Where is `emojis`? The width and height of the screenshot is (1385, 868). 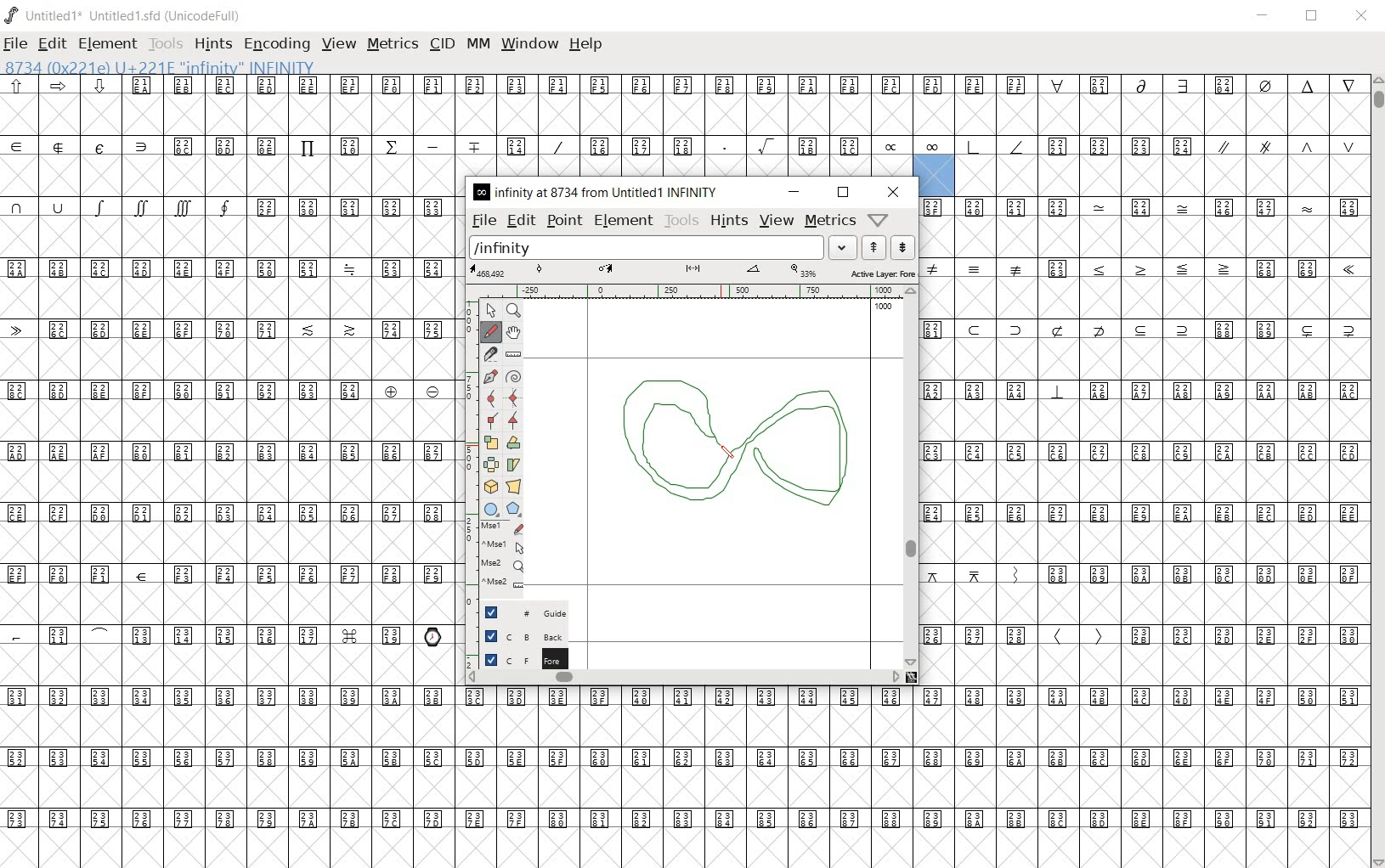 emojis is located at coordinates (436, 634).